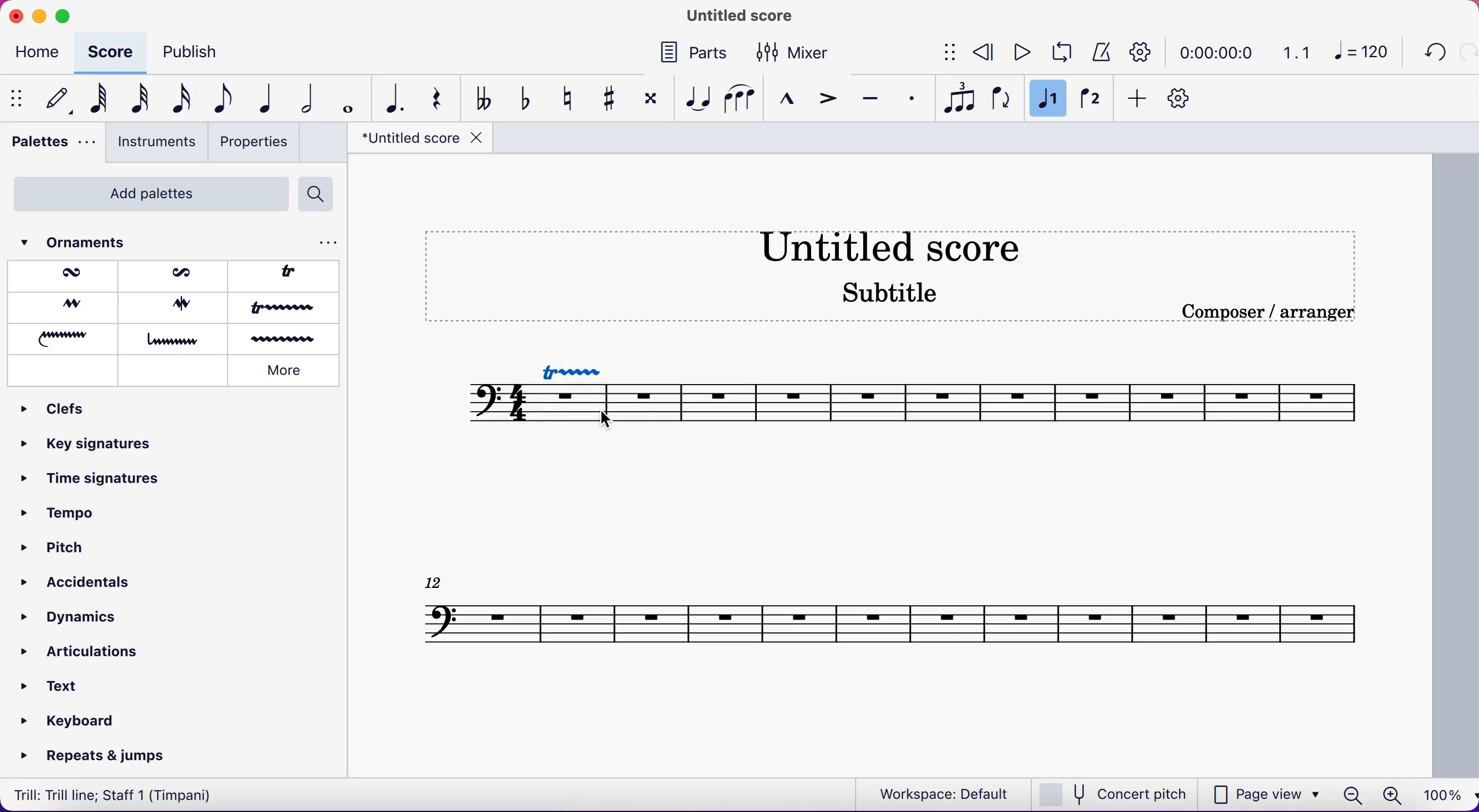  I want to click on 16th note, so click(179, 100).